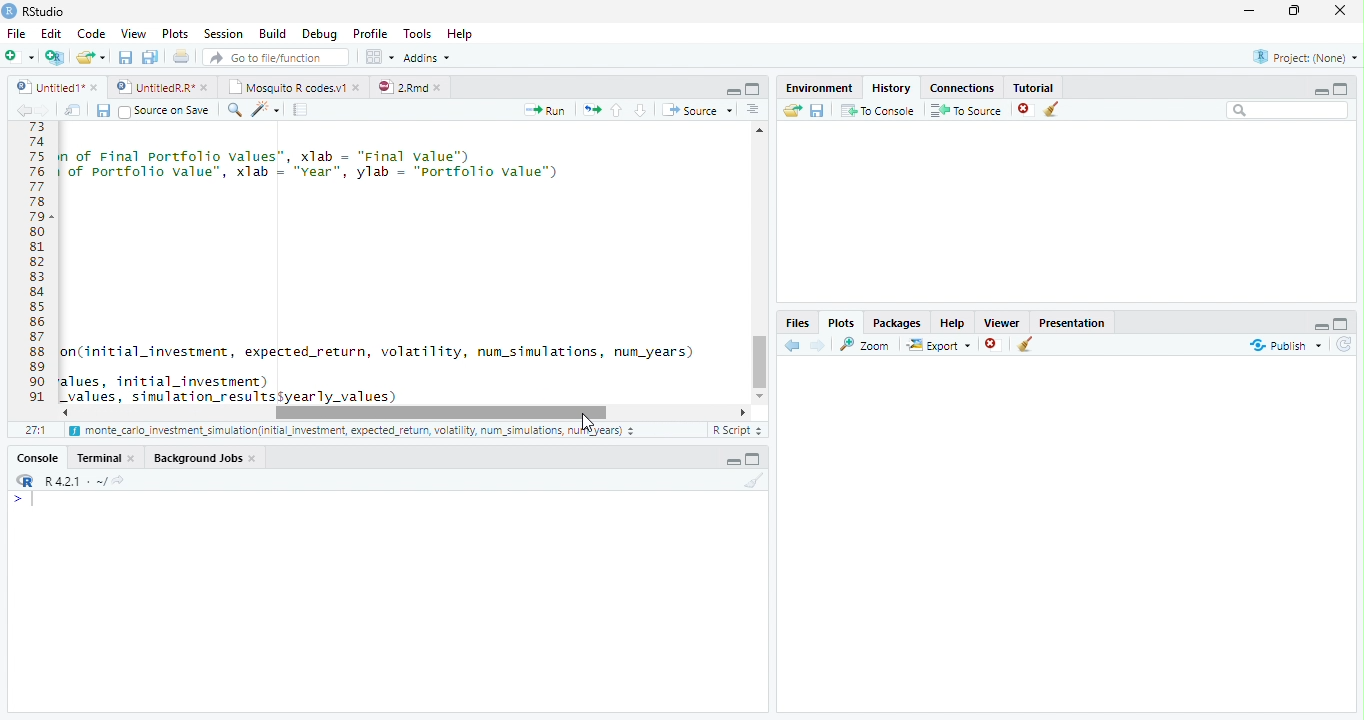 Image resolution: width=1364 pixels, height=720 pixels. Describe the element at coordinates (756, 458) in the screenshot. I see `Full Height` at that location.